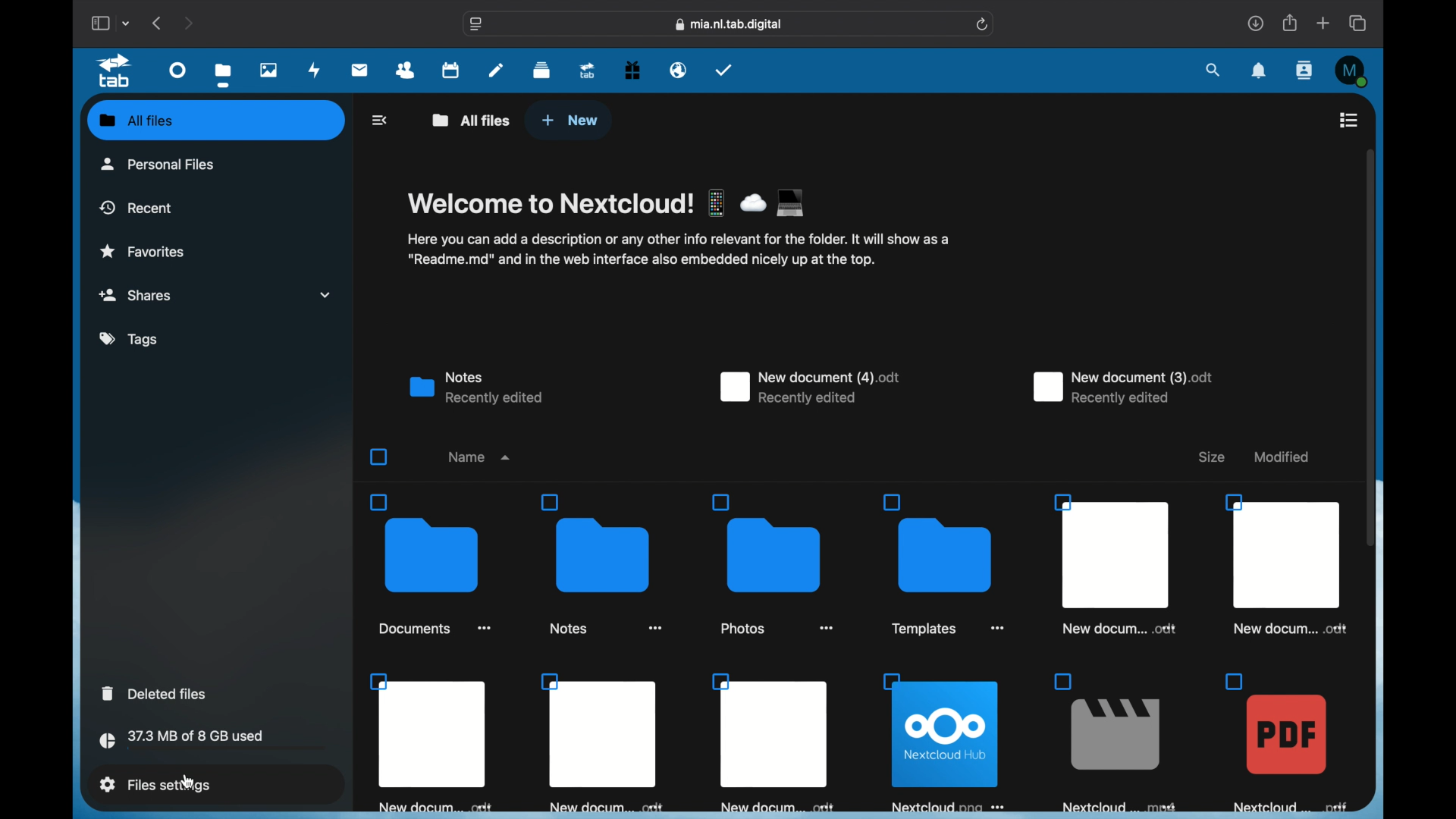 The image size is (1456, 819). I want to click on folder, so click(431, 565).